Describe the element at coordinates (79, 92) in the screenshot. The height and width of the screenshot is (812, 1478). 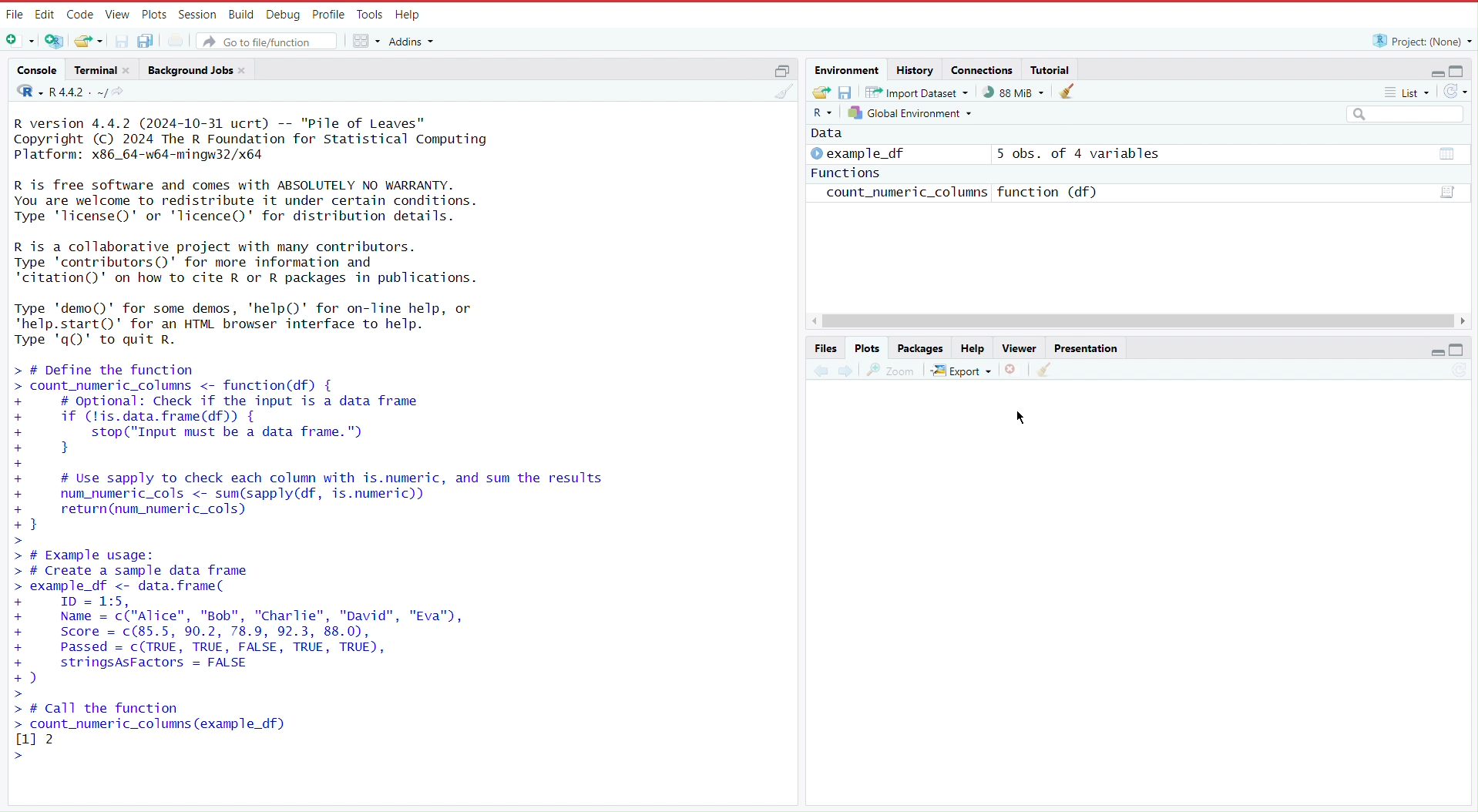
I see `R.4.4.2~/` at that location.